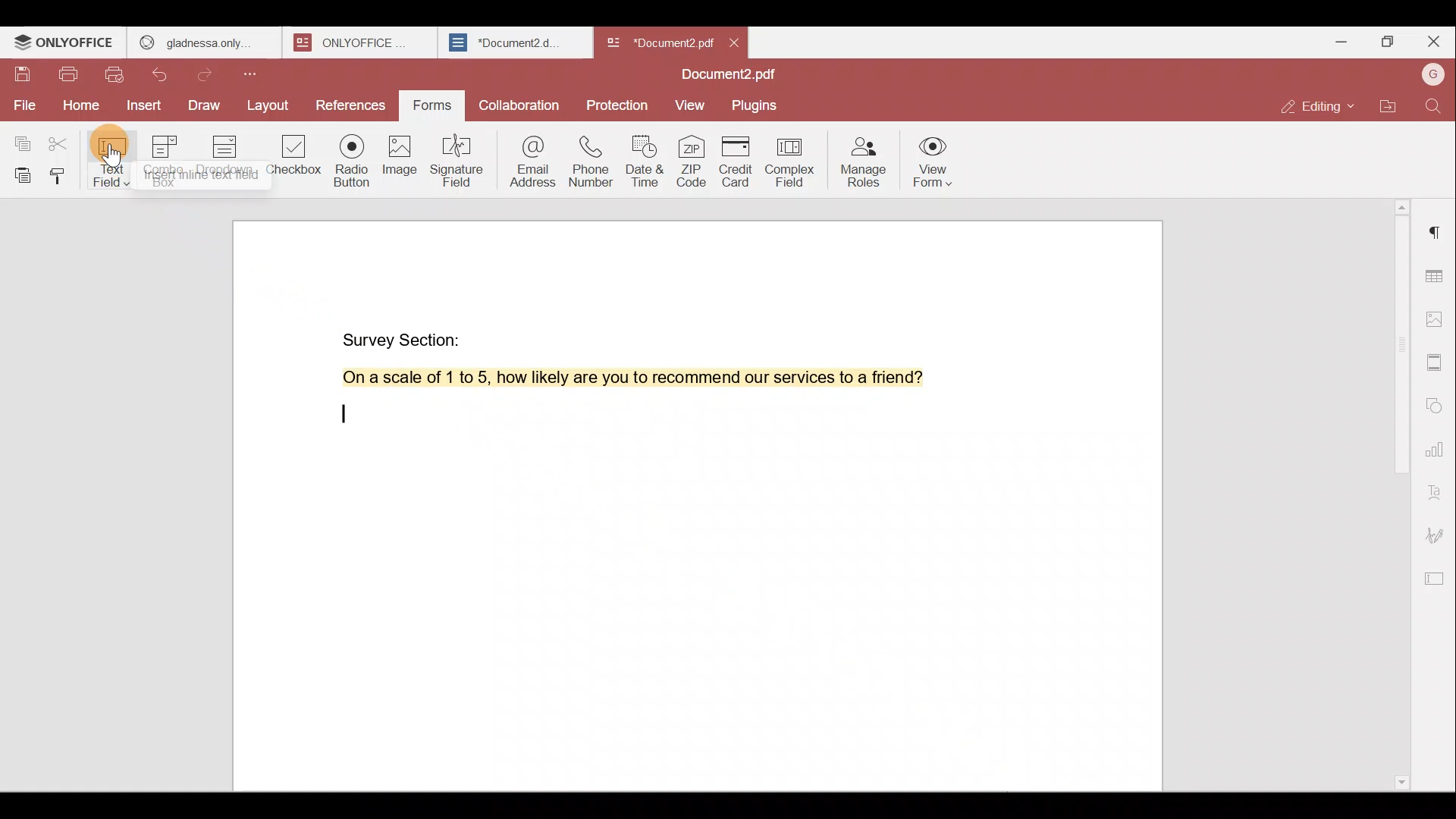 This screenshot has width=1456, height=819. What do you see at coordinates (757, 104) in the screenshot?
I see `Plugins` at bounding box center [757, 104].